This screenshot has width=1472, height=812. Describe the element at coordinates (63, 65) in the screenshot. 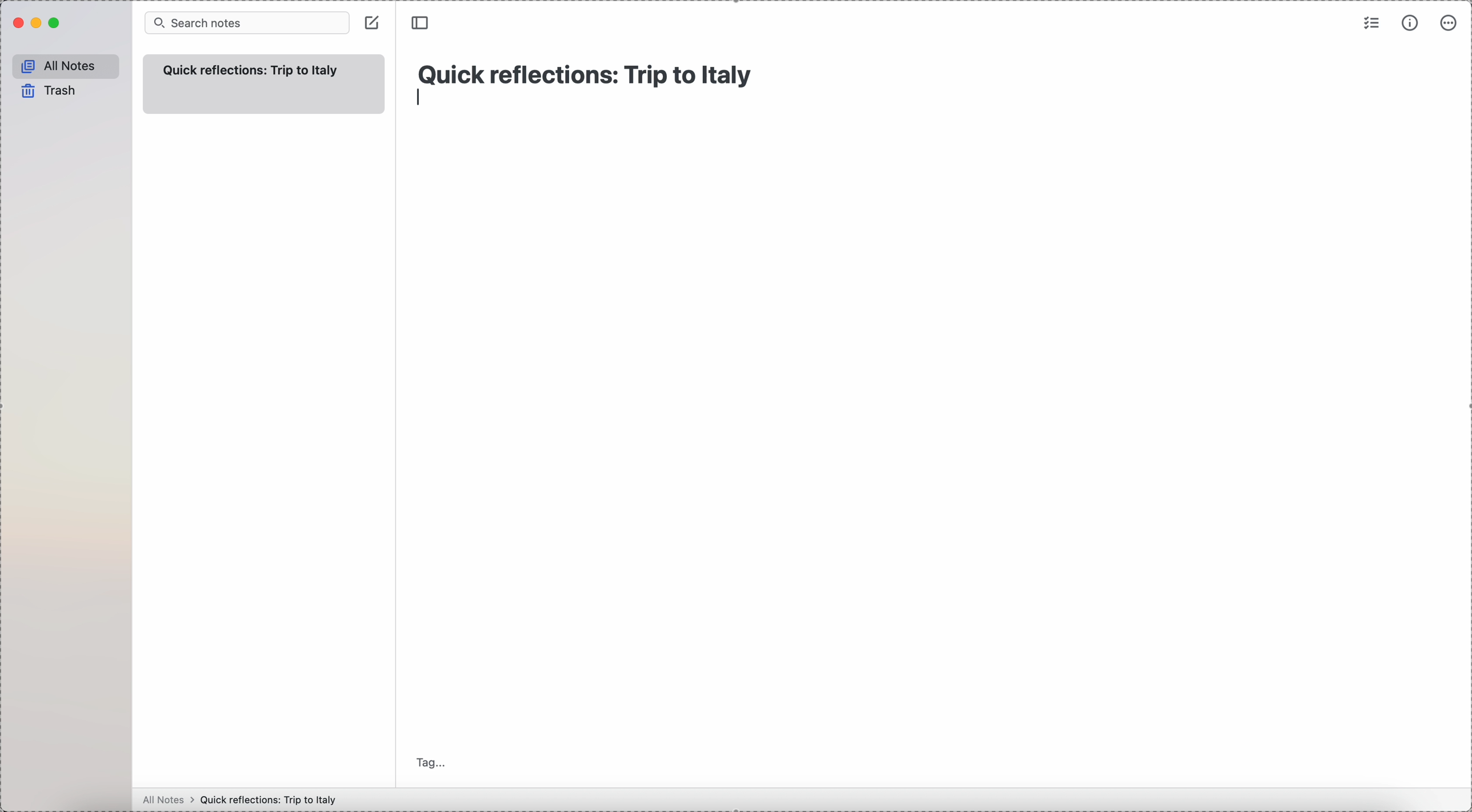

I see `all notes` at that location.